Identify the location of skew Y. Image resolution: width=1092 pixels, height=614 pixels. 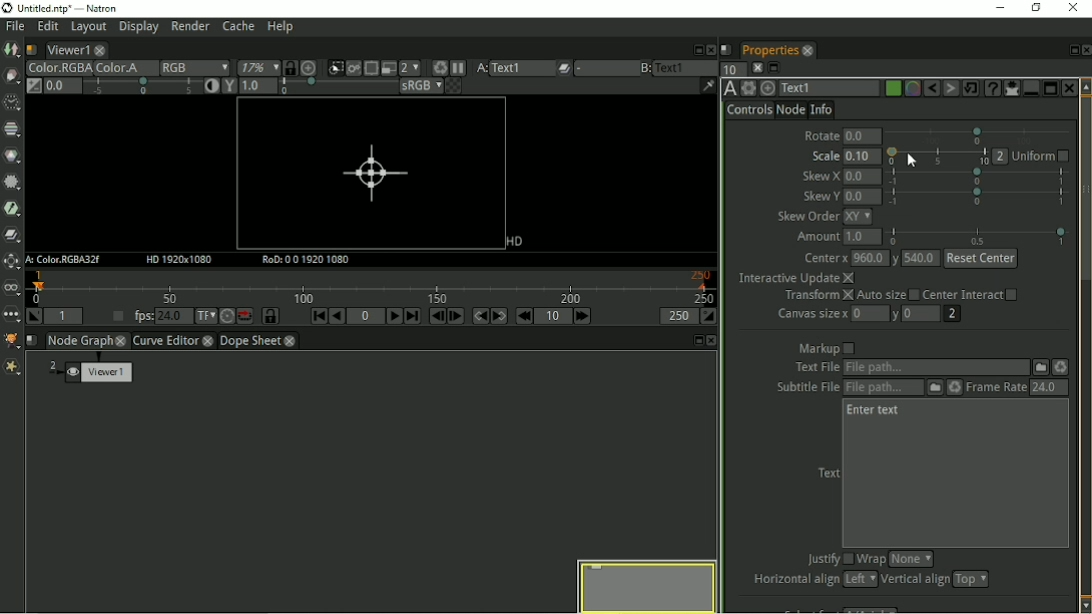
(934, 196).